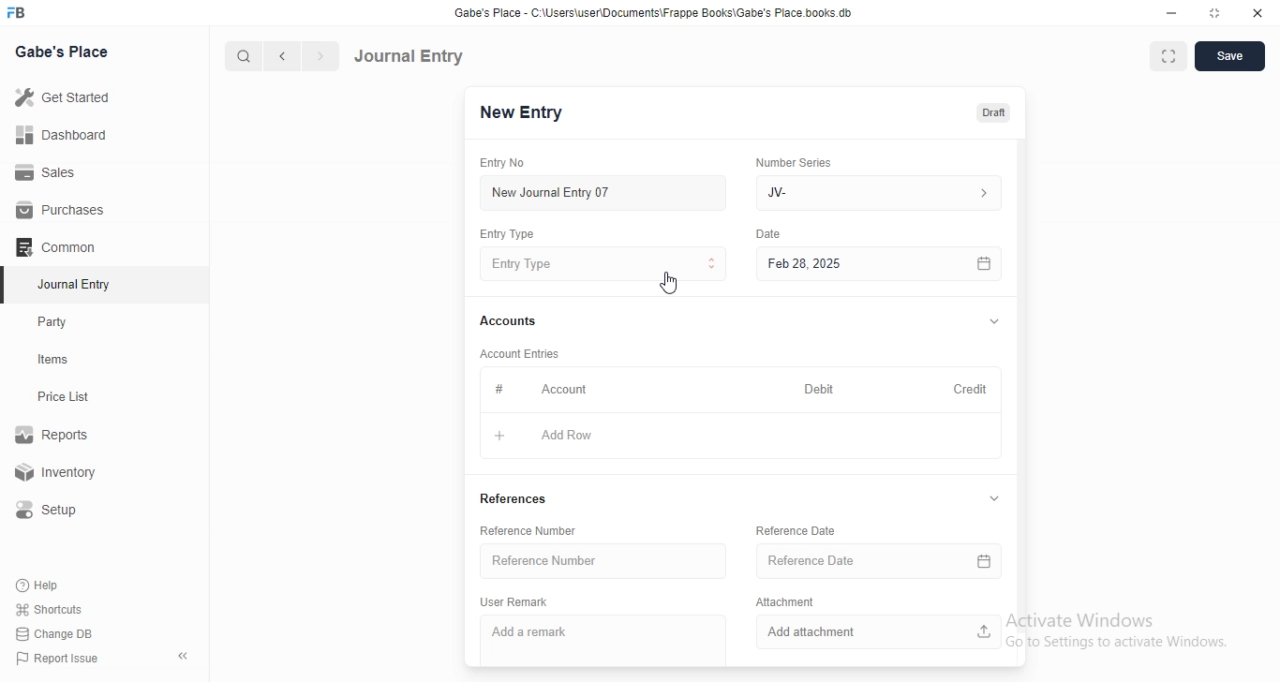  What do you see at coordinates (770, 233) in the screenshot?
I see `Date` at bounding box center [770, 233].